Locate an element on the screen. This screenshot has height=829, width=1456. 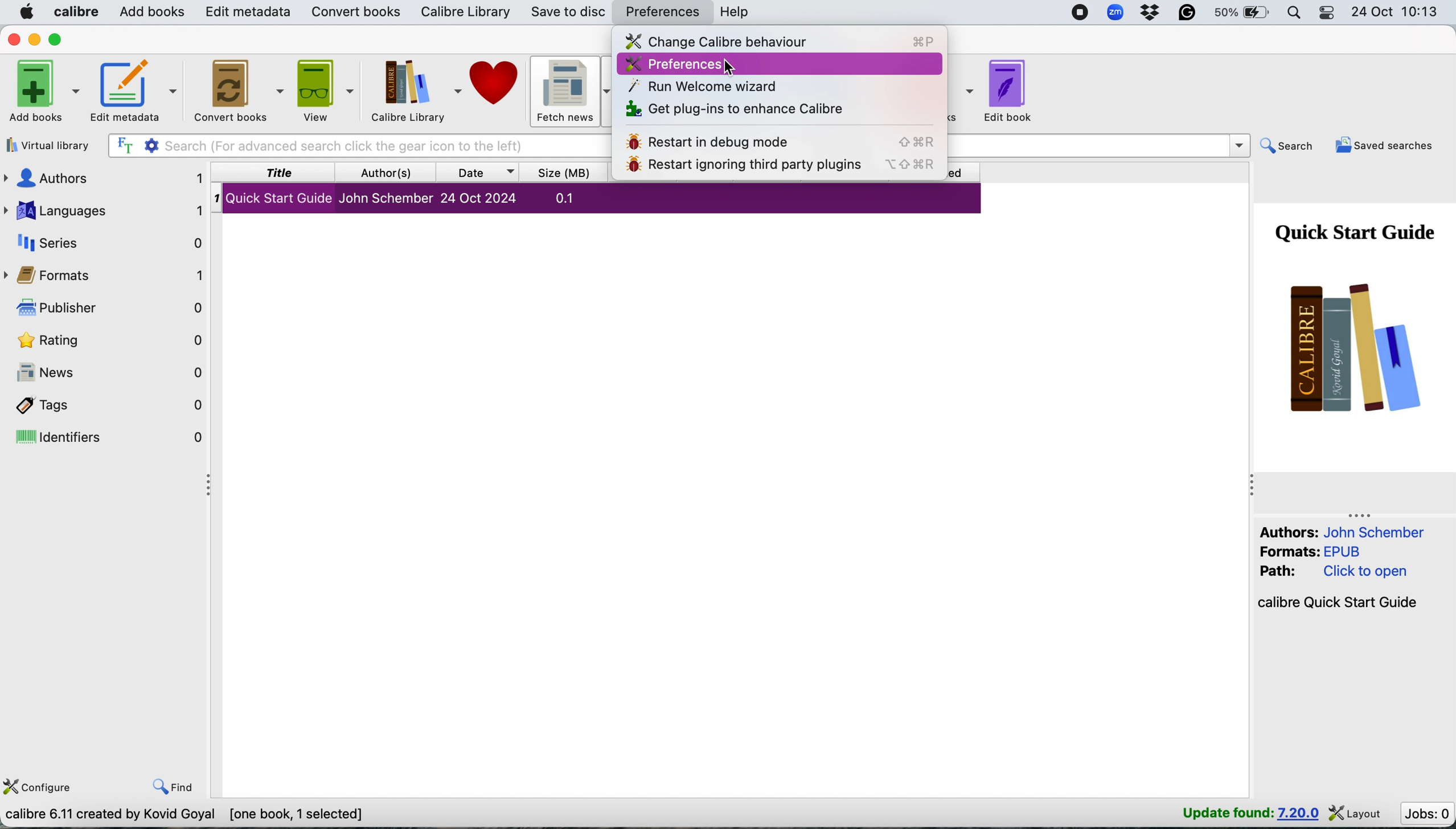
calibre library is located at coordinates (461, 14).